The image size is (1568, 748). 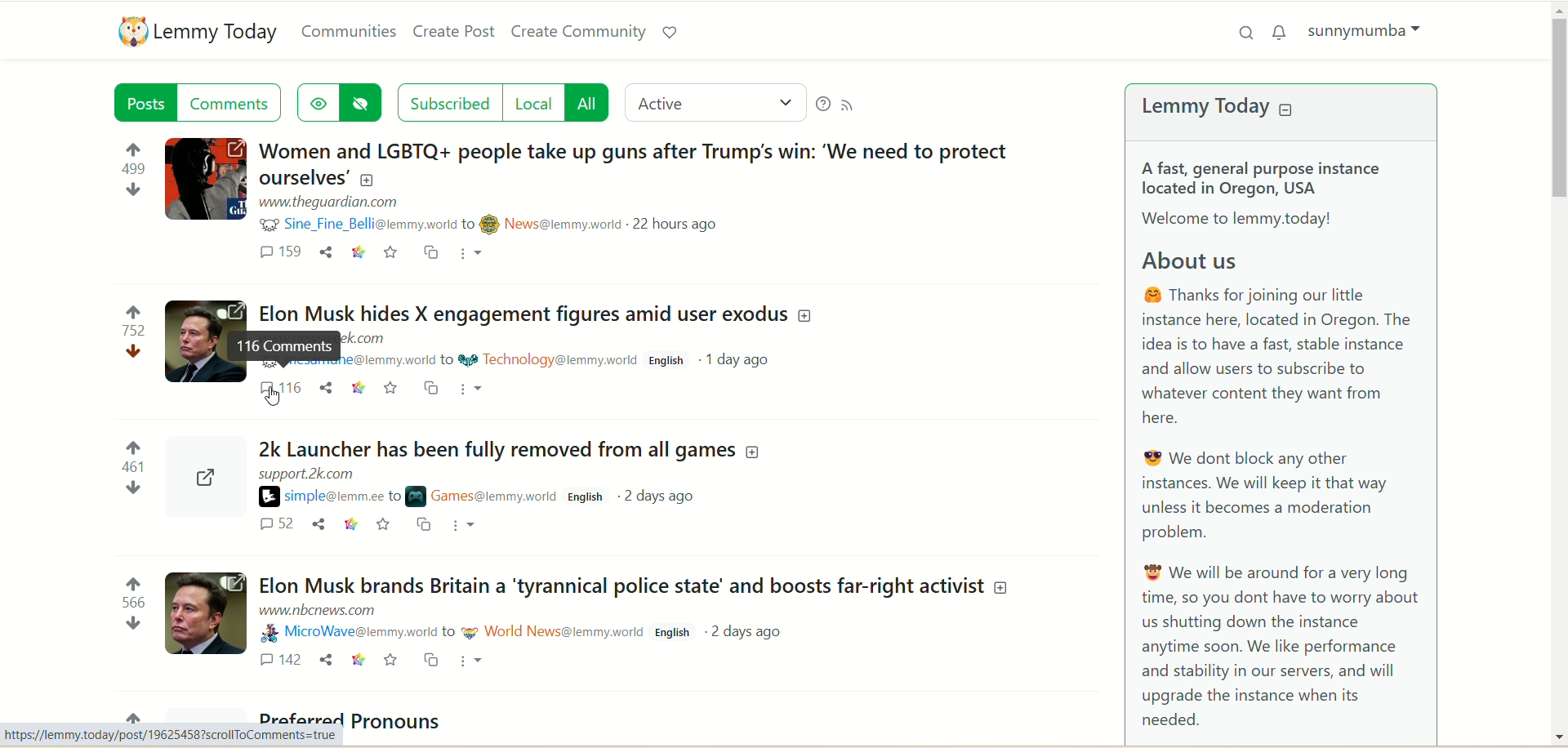 I want to click on share, so click(x=328, y=657).